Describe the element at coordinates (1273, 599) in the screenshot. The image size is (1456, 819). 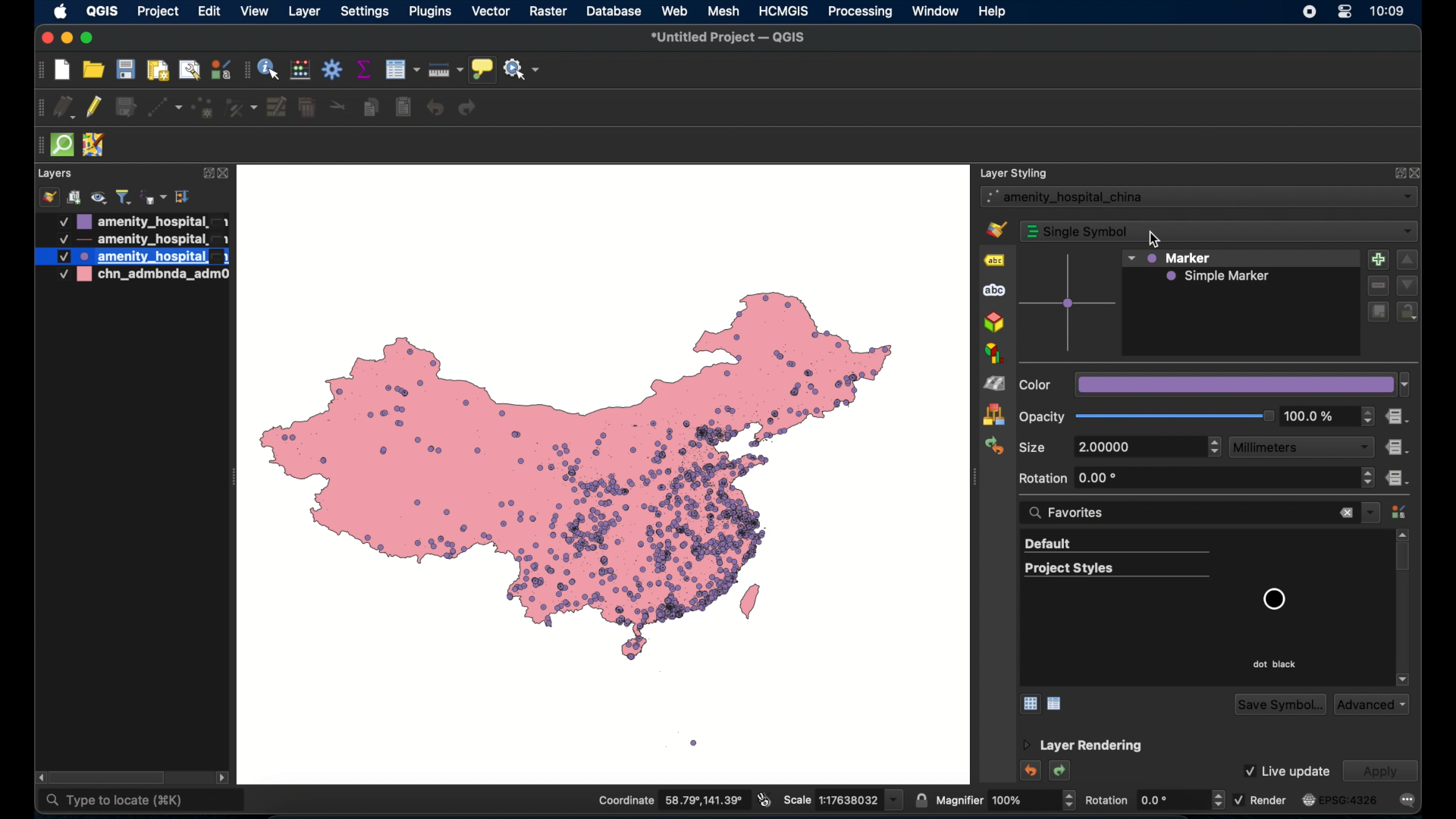
I see `dot black preview` at that location.